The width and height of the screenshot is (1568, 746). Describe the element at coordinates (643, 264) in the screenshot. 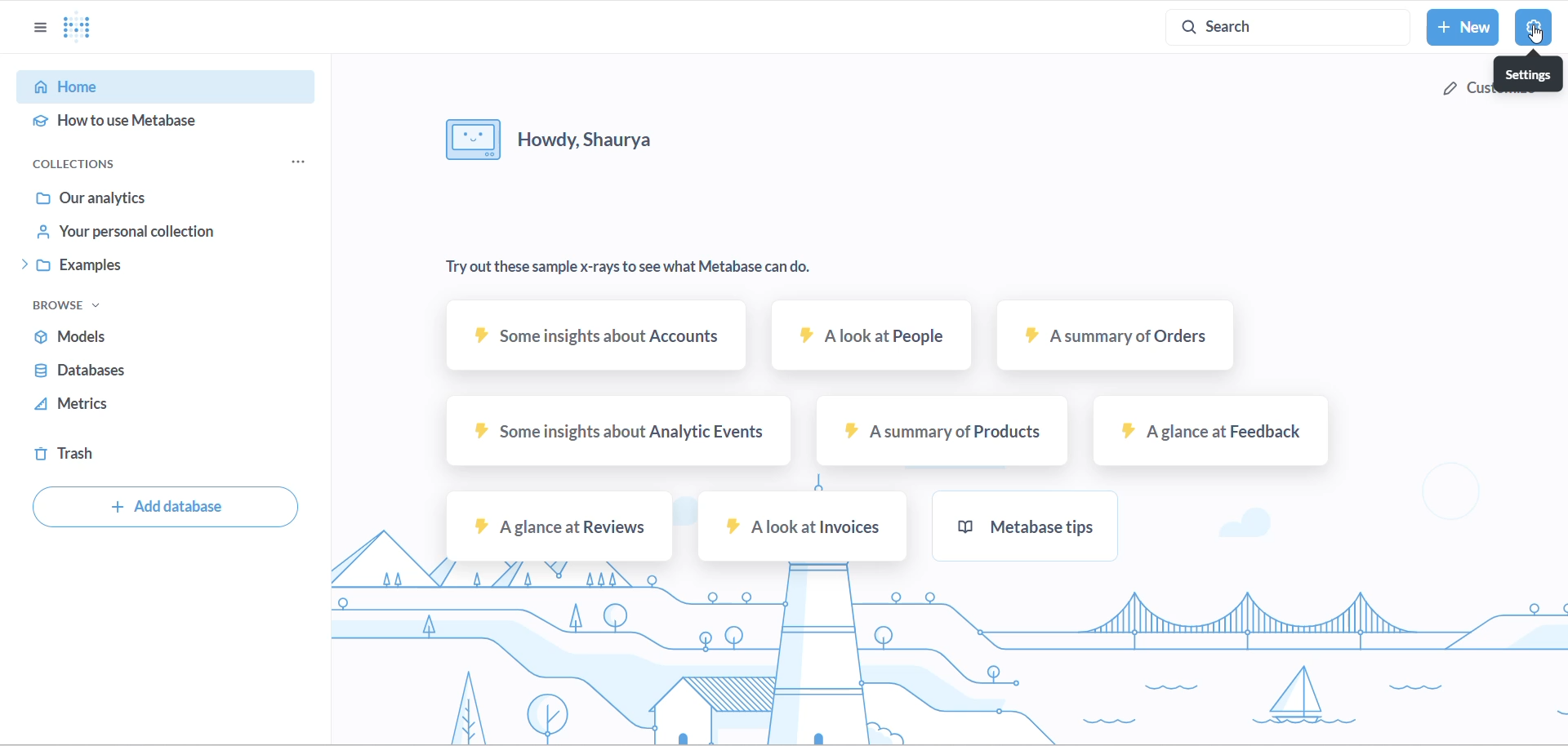

I see `TEXT` at that location.